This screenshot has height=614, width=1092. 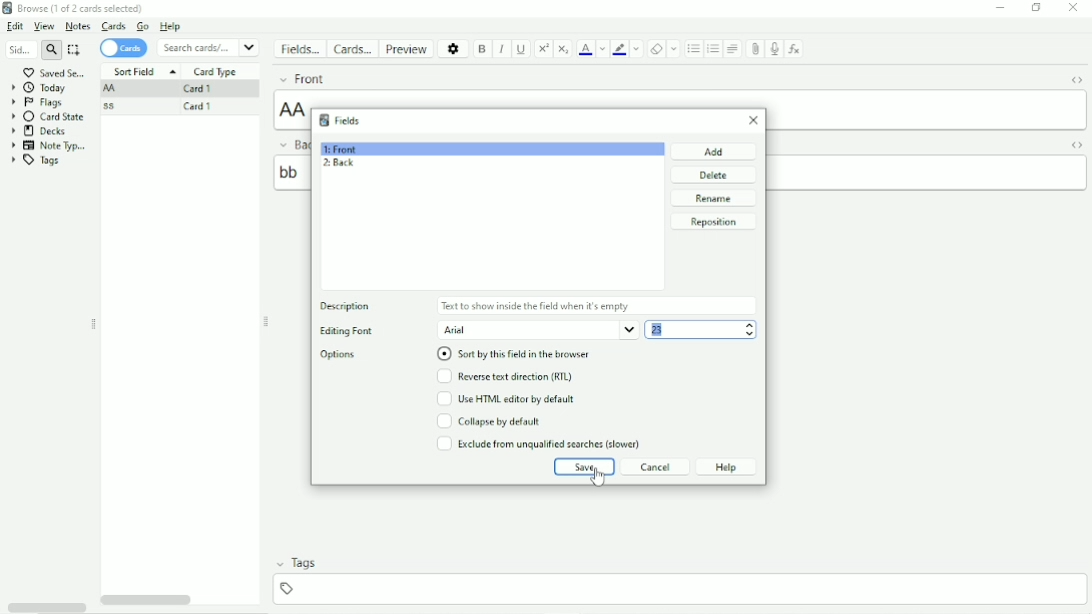 I want to click on Options, so click(x=339, y=355).